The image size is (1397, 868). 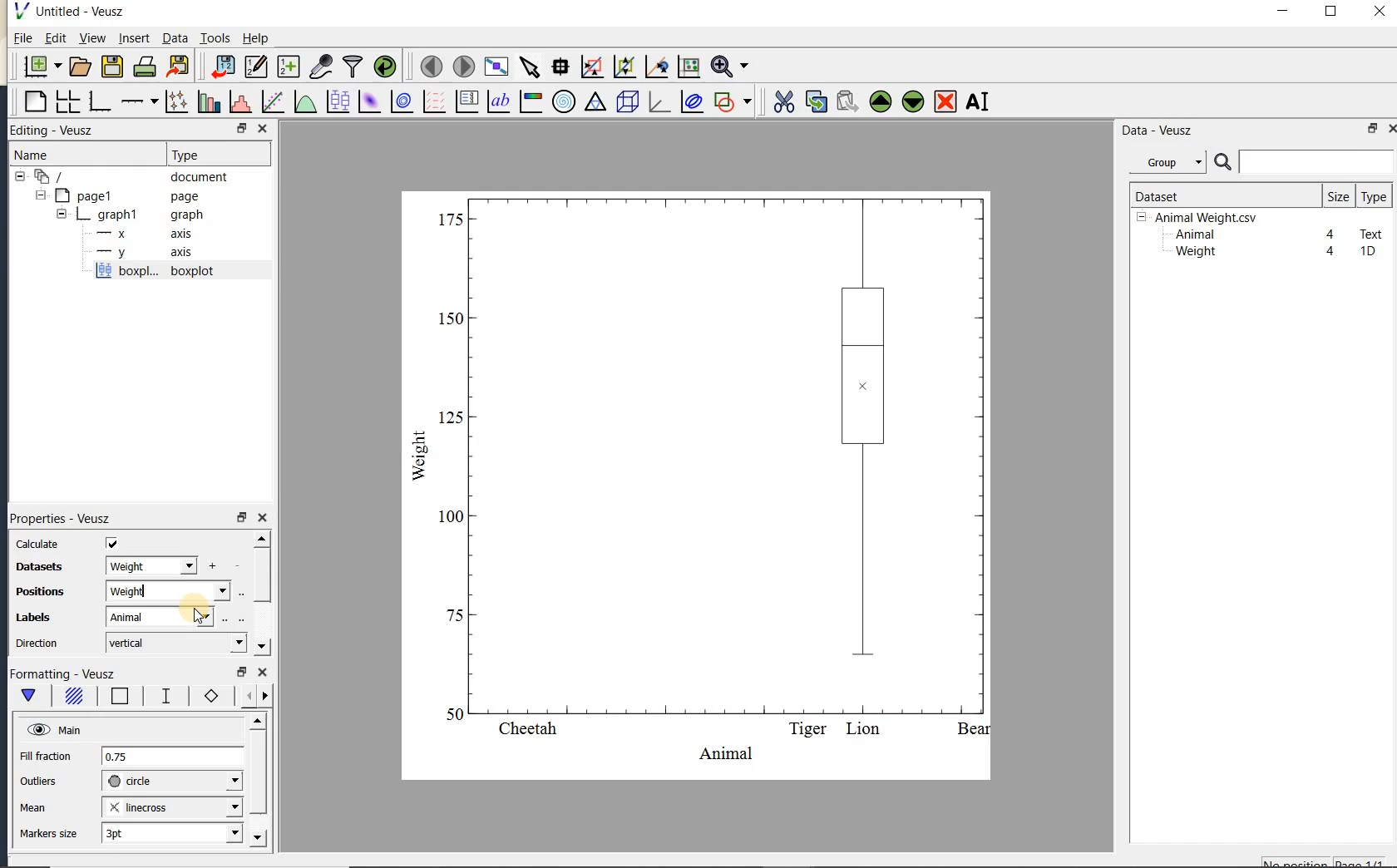 What do you see at coordinates (304, 104) in the screenshot?
I see `plot a function` at bounding box center [304, 104].